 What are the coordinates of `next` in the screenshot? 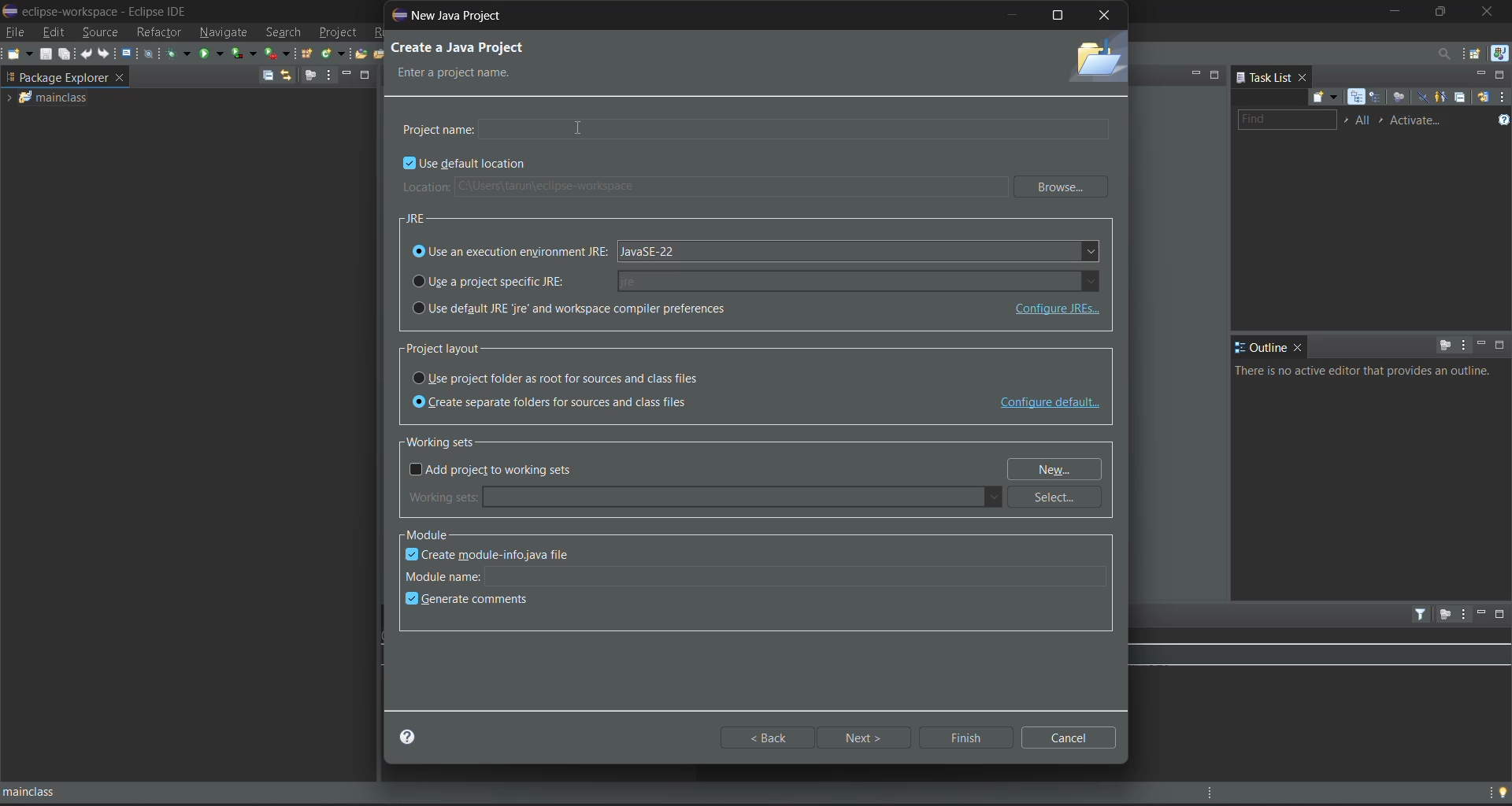 It's located at (867, 738).